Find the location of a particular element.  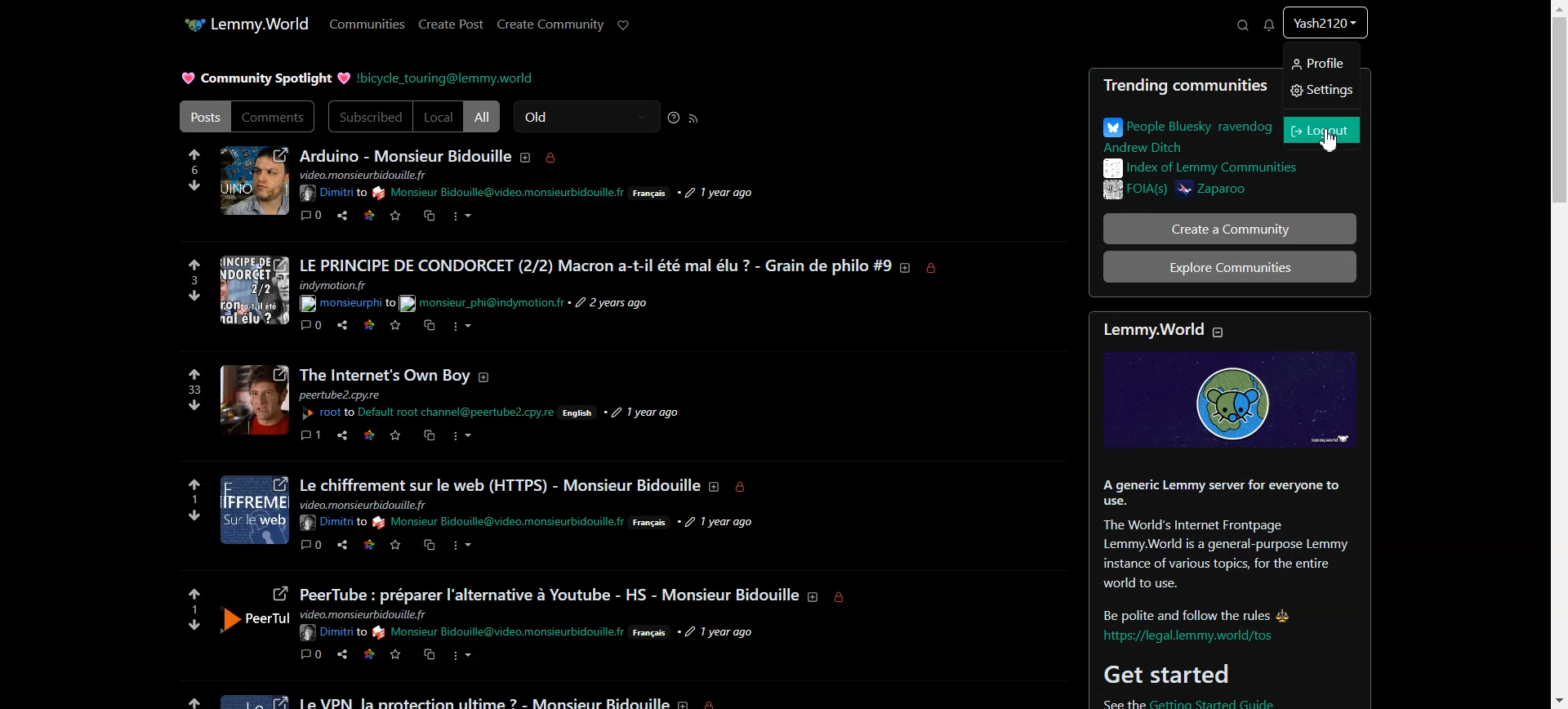

about is located at coordinates (813, 596).